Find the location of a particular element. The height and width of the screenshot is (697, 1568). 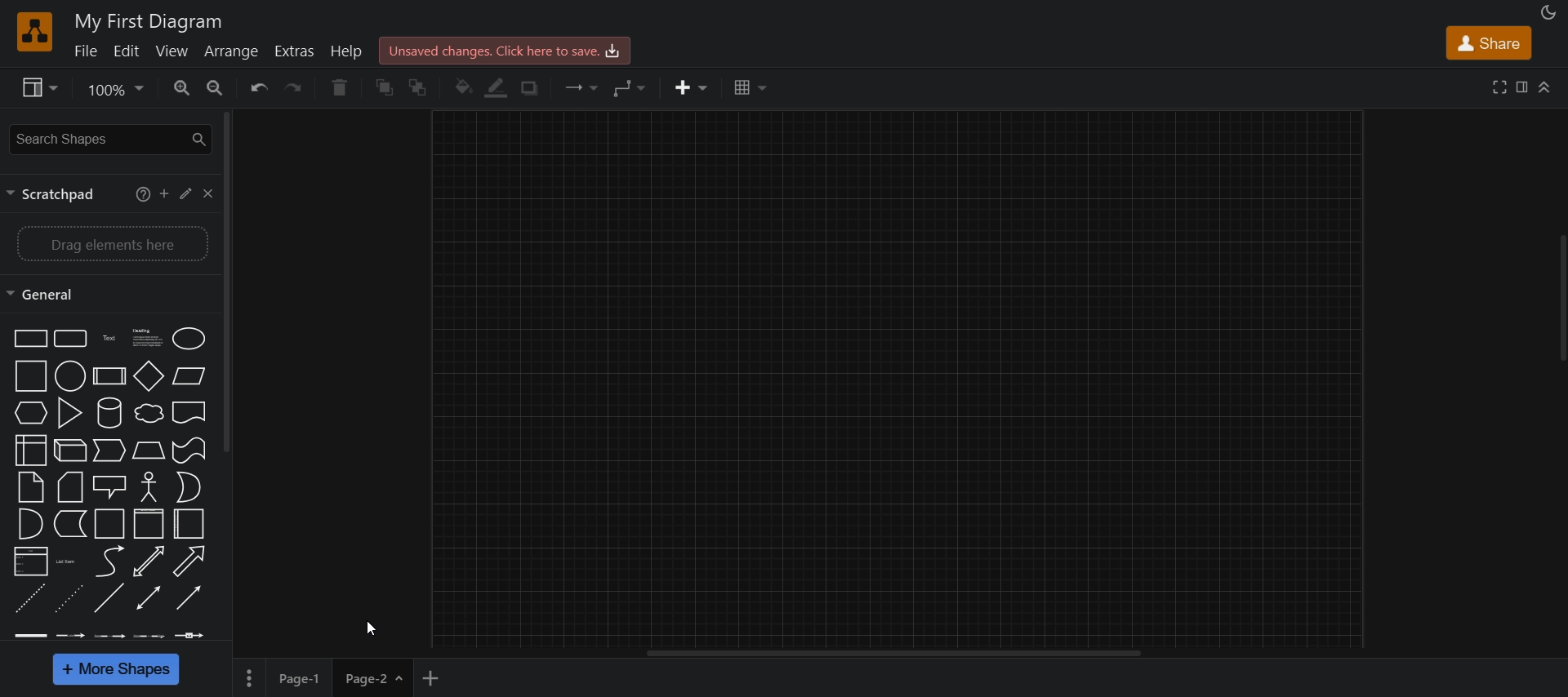

view is located at coordinates (177, 53).